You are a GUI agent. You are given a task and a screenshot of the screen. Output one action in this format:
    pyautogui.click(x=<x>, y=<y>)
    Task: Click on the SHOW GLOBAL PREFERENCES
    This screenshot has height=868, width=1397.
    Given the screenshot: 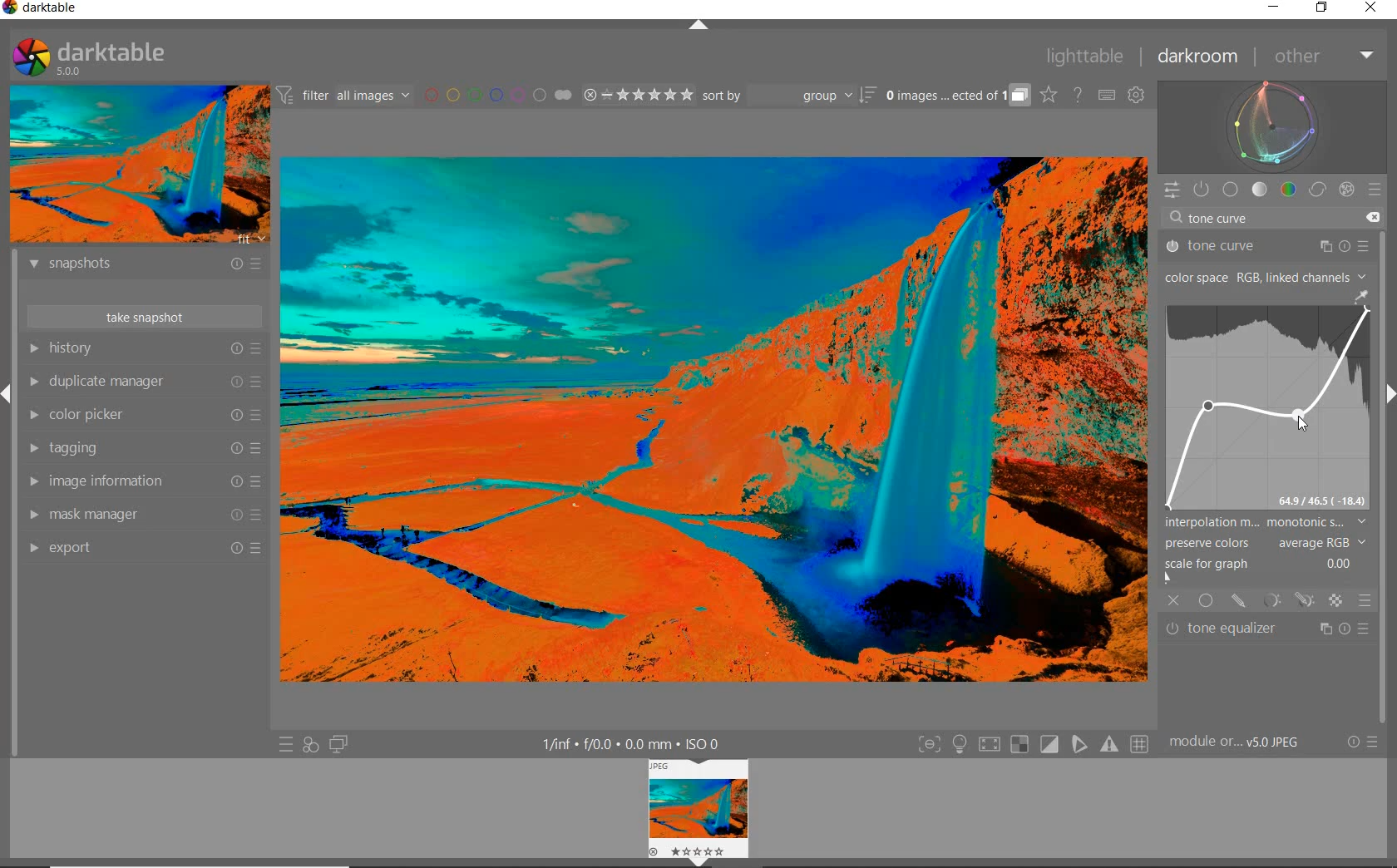 What is the action you would take?
    pyautogui.click(x=1136, y=95)
    